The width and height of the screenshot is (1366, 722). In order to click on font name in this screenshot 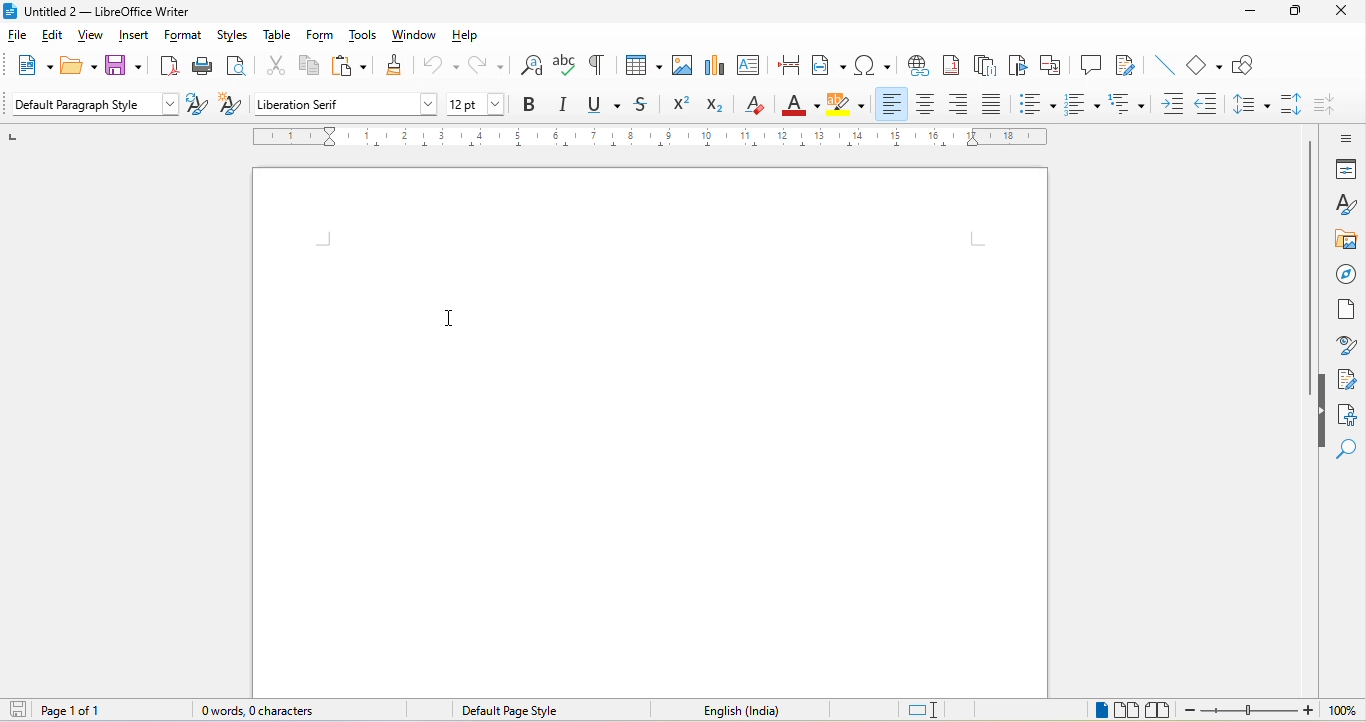, I will do `click(345, 103)`.